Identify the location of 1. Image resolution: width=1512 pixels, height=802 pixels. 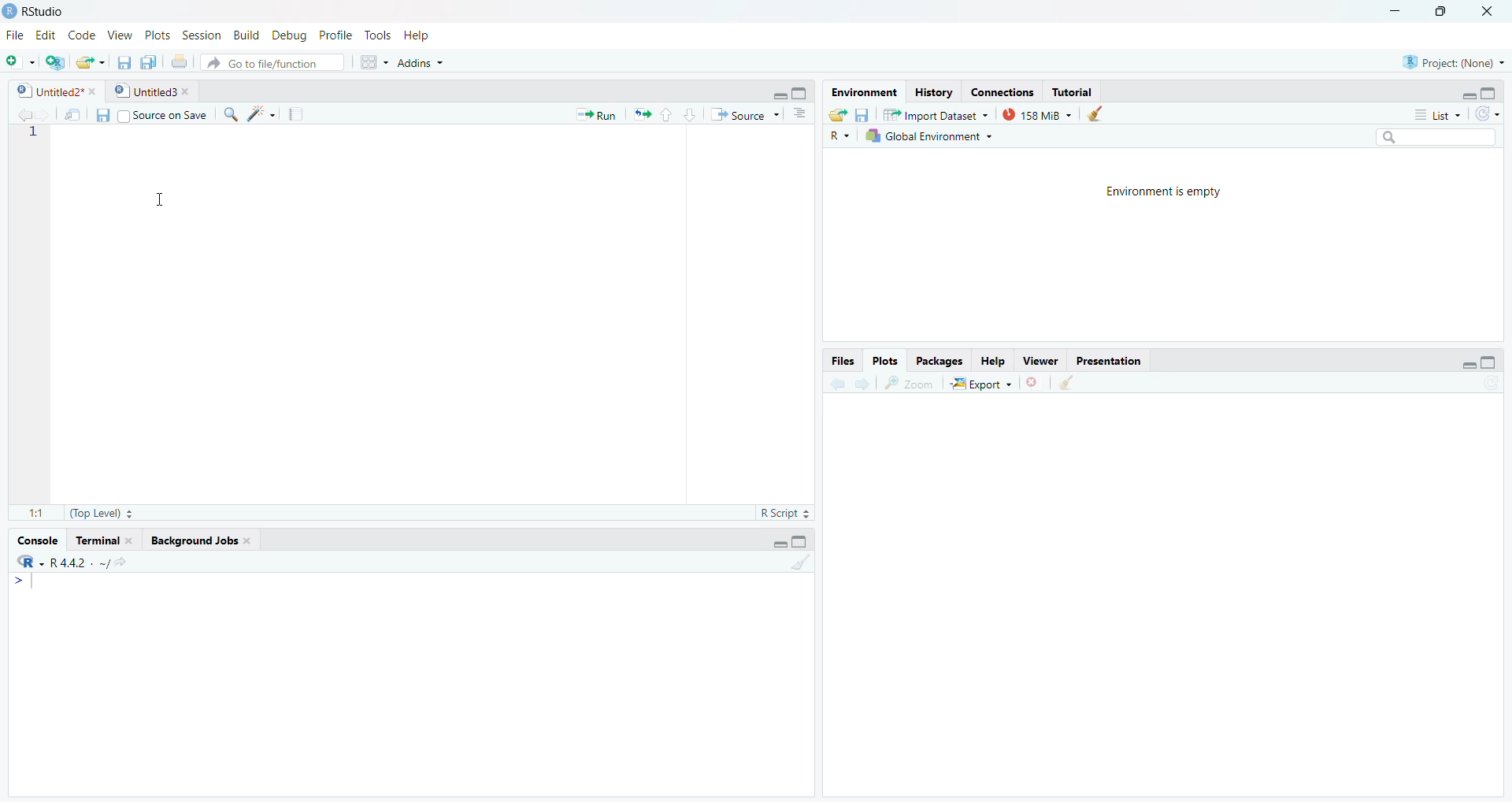
(30, 139).